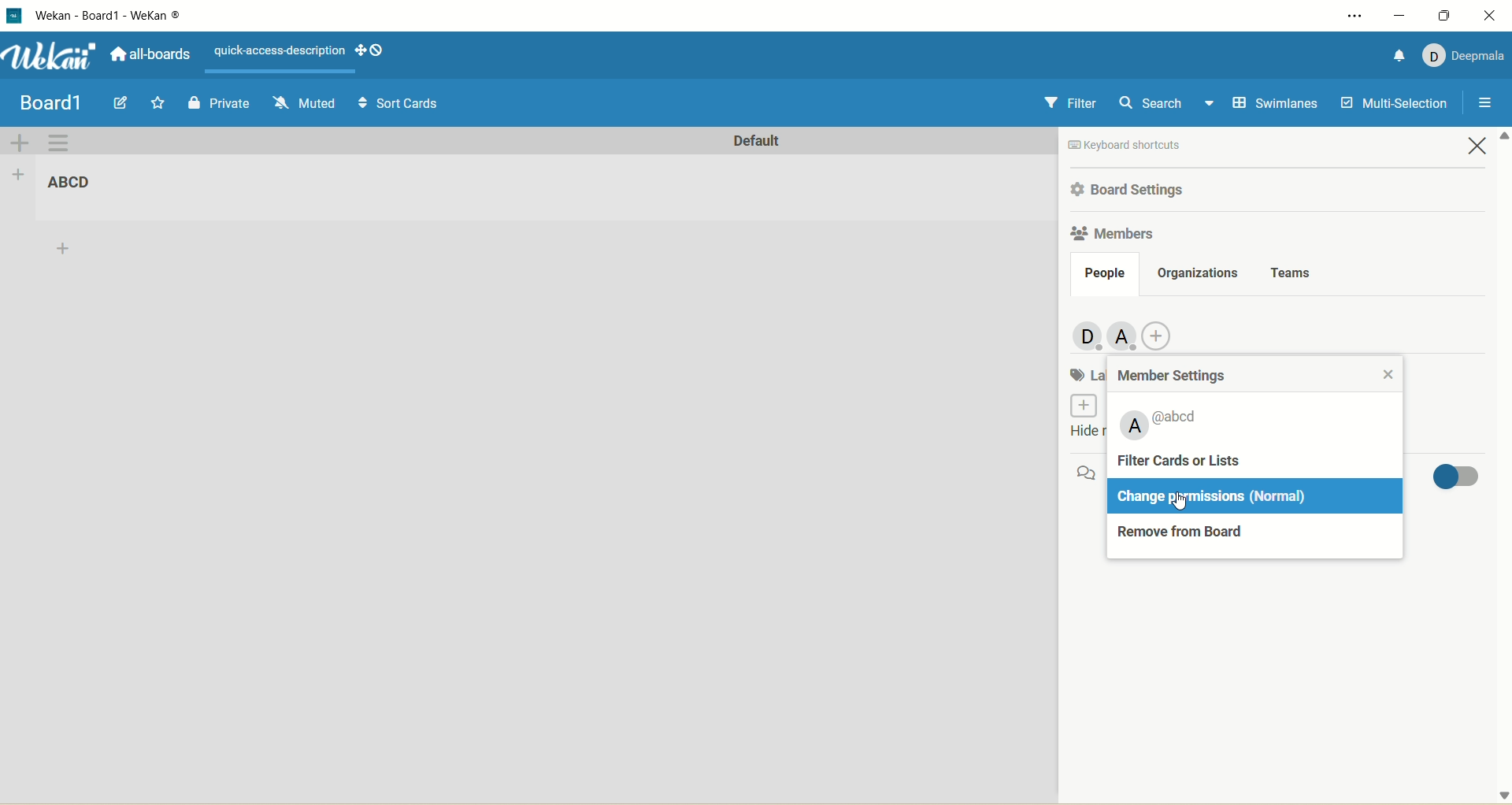 This screenshot has height=805, width=1512. Describe the element at coordinates (1197, 536) in the screenshot. I see `remove from board` at that location.